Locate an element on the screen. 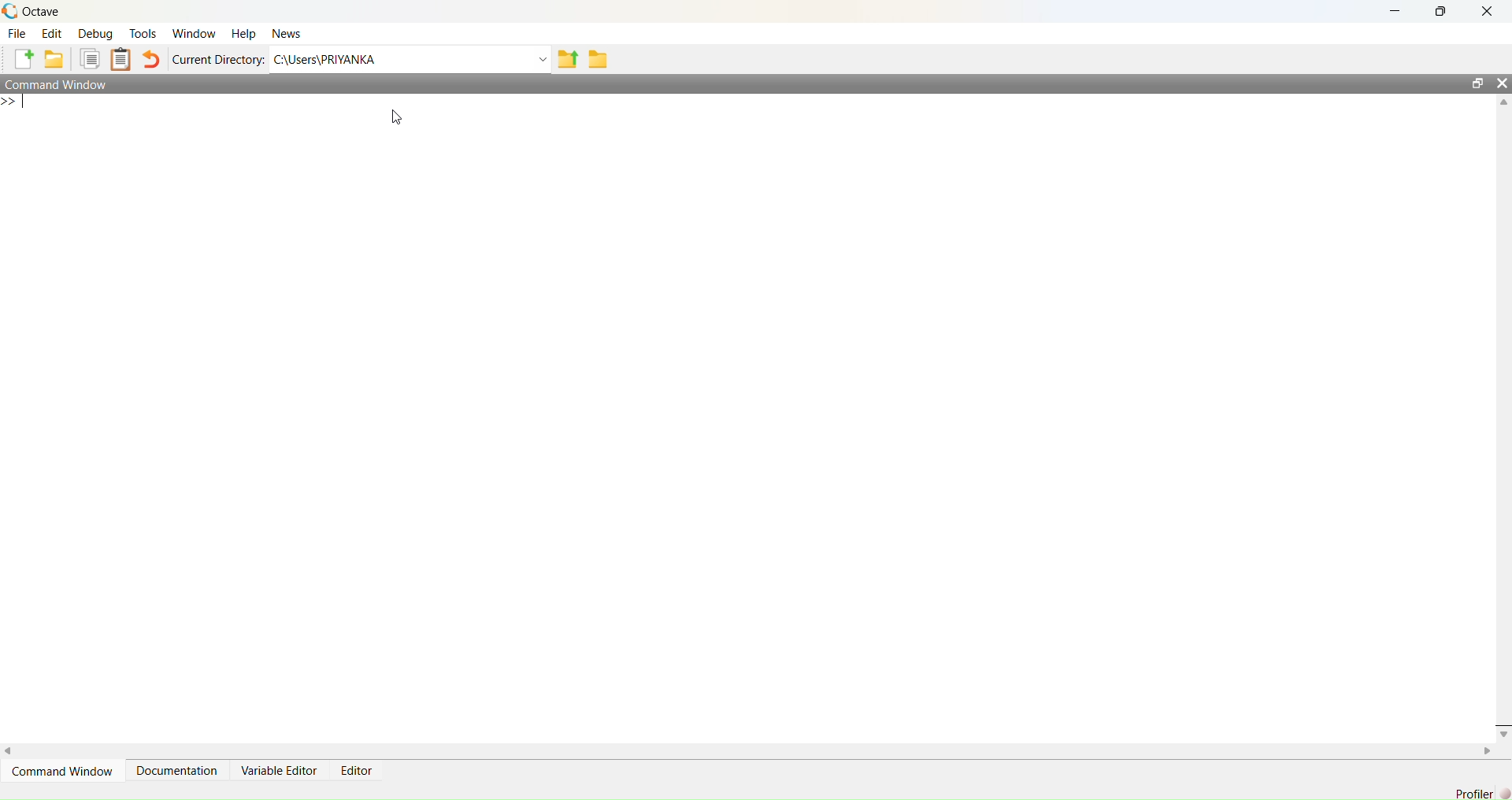  Minimize is located at coordinates (1398, 13).